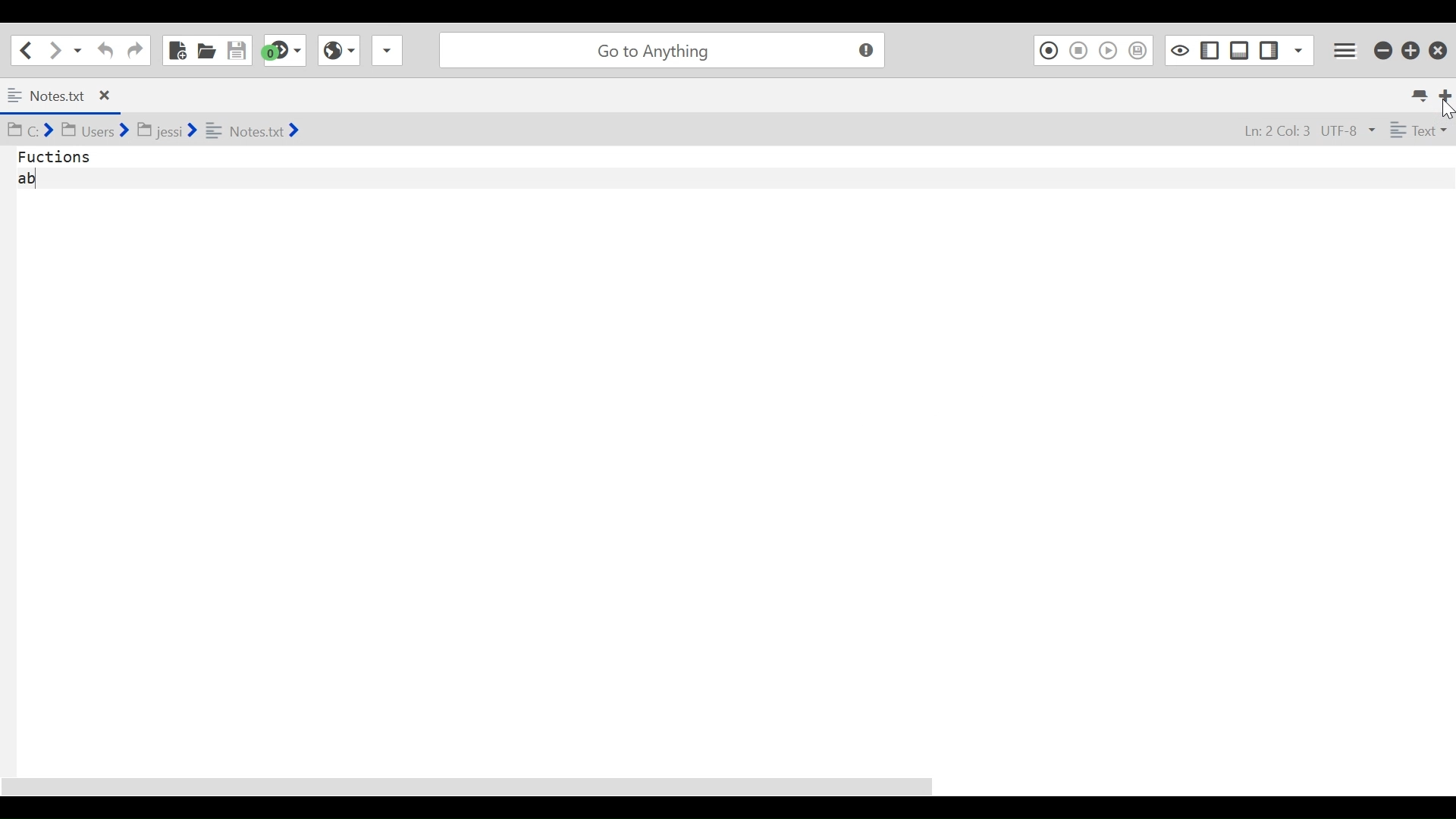 This screenshot has height=819, width=1456. What do you see at coordinates (206, 49) in the screenshot?
I see `Open File` at bounding box center [206, 49].